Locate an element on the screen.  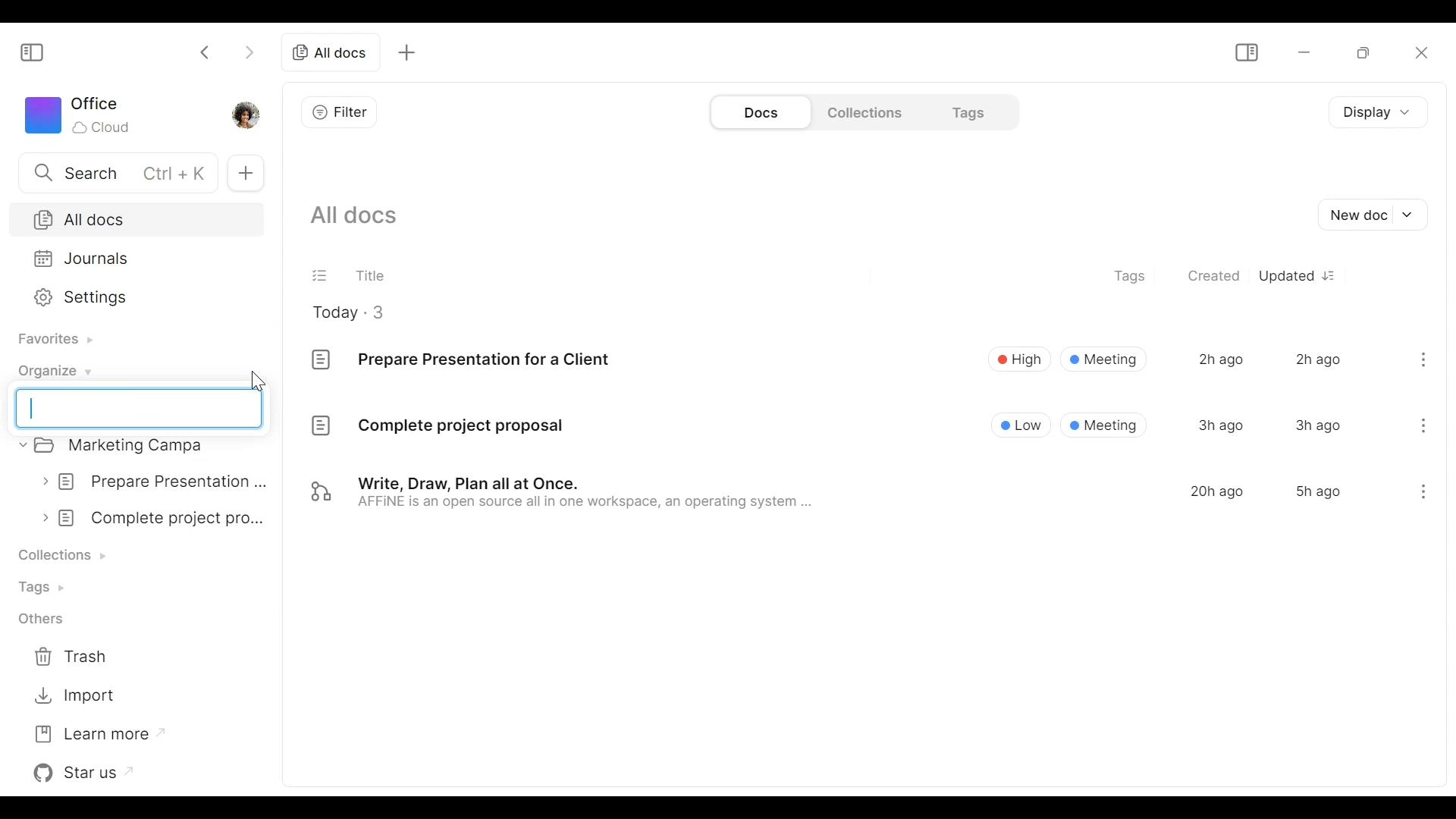
Rename is located at coordinates (140, 408).